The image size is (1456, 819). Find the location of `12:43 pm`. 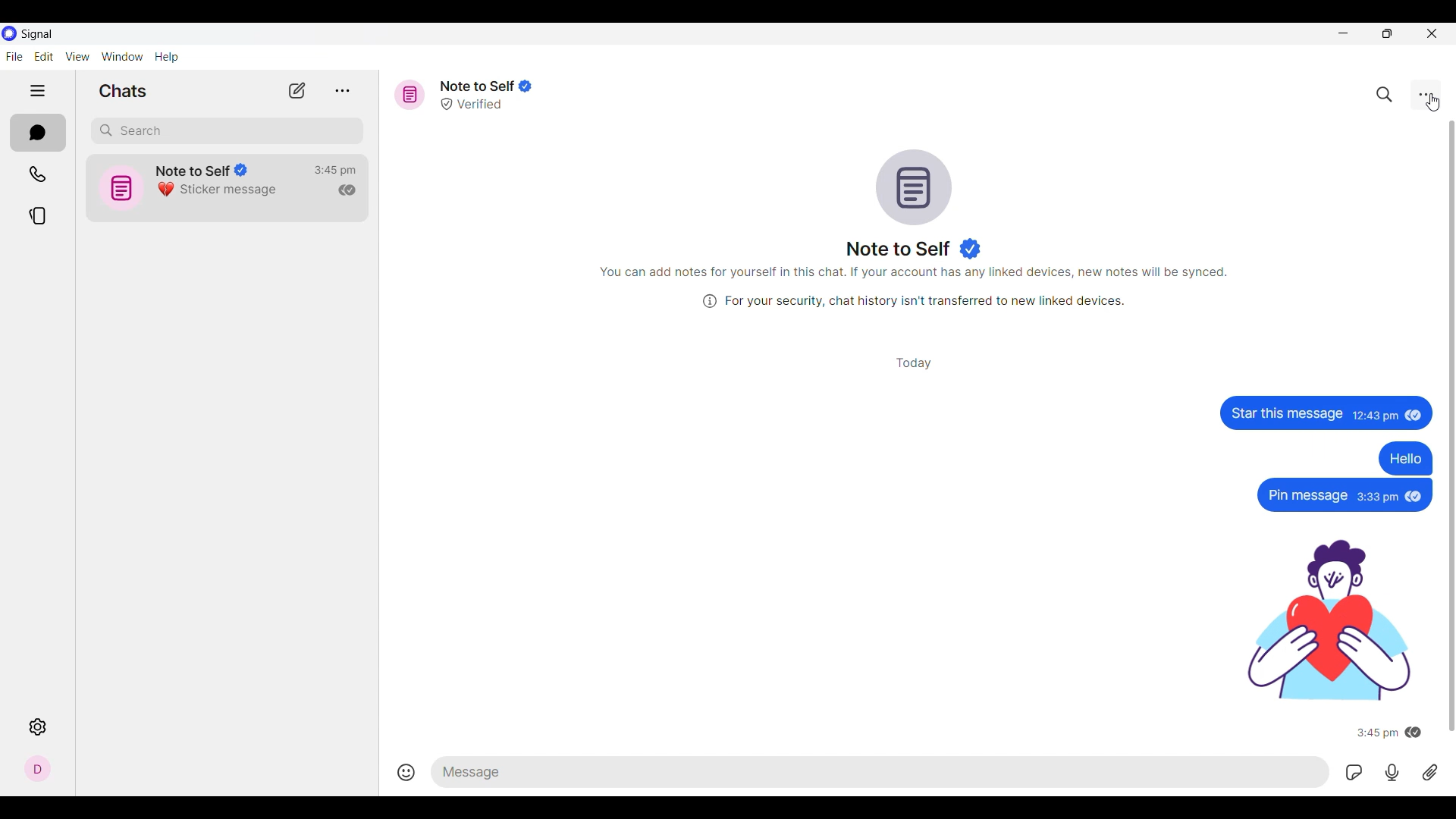

12:43 pm is located at coordinates (1375, 416).